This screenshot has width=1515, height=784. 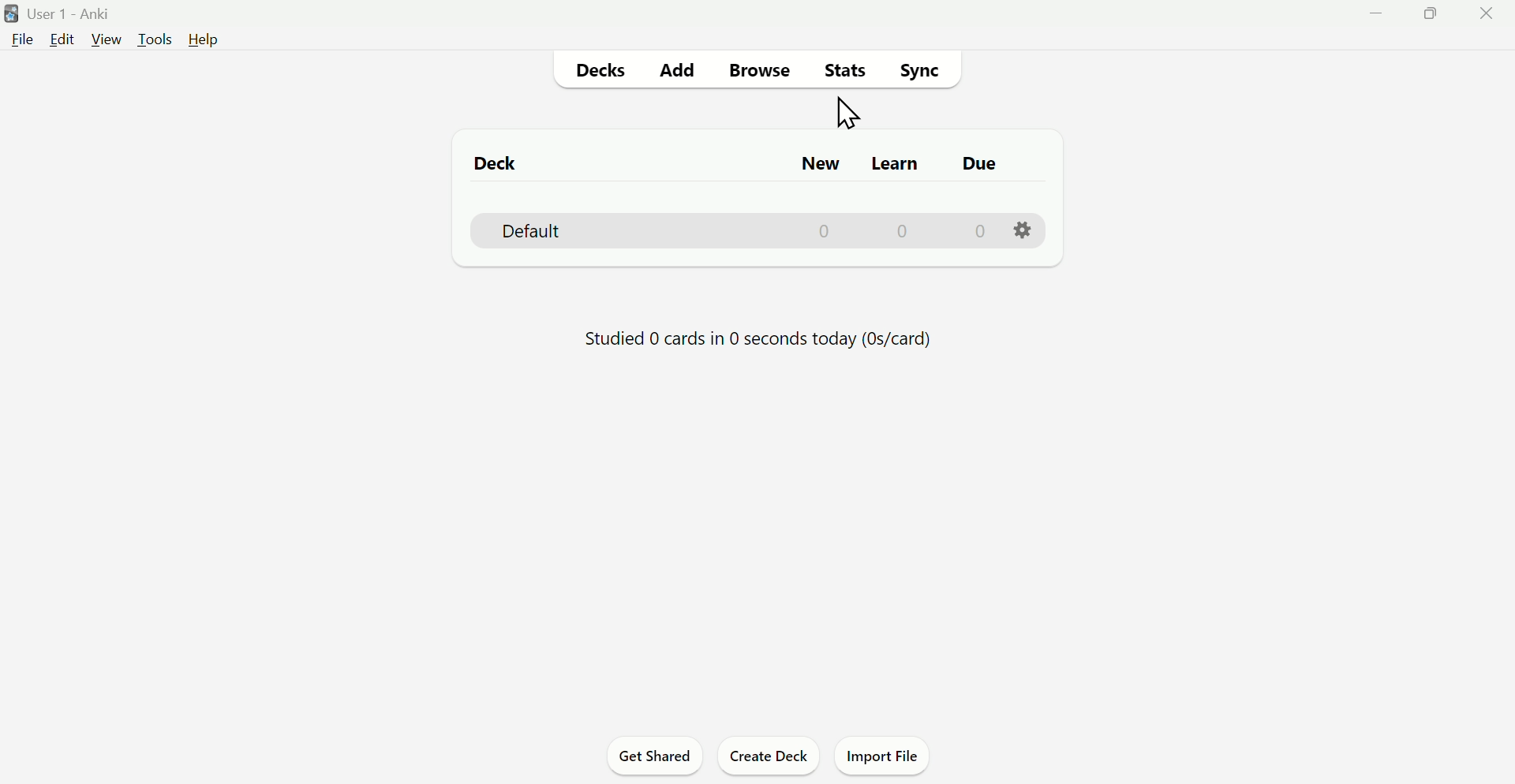 I want to click on Default, so click(x=541, y=231).